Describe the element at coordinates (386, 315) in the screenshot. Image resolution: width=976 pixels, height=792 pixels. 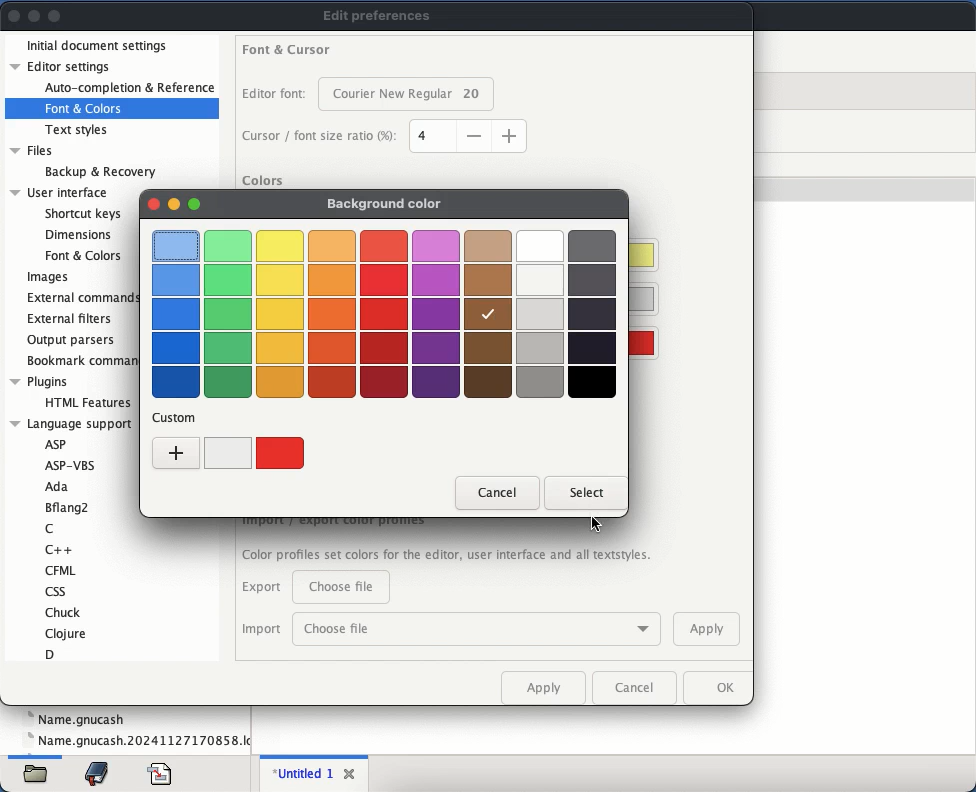
I see `colors` at that location.